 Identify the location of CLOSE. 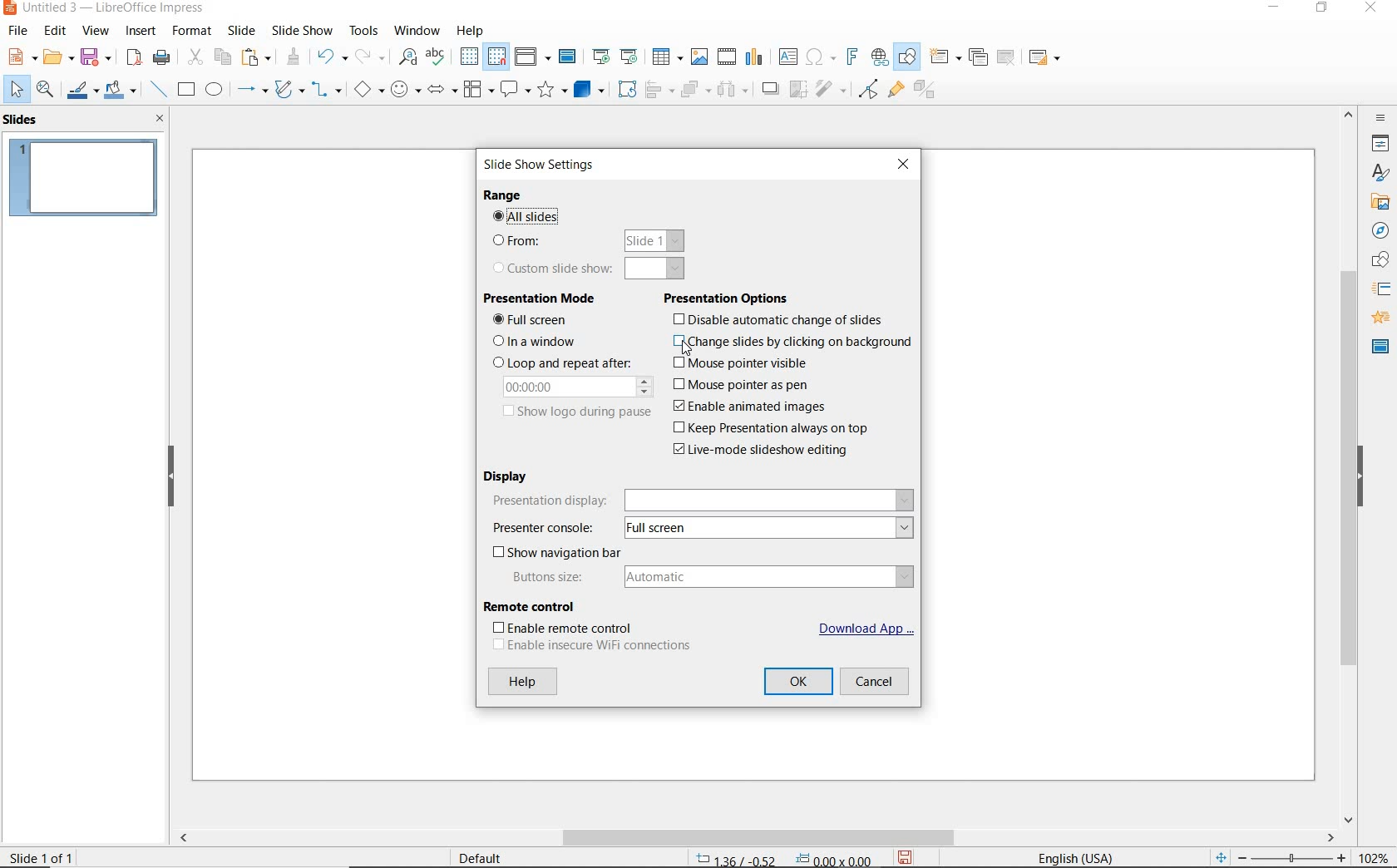
(160, 118).